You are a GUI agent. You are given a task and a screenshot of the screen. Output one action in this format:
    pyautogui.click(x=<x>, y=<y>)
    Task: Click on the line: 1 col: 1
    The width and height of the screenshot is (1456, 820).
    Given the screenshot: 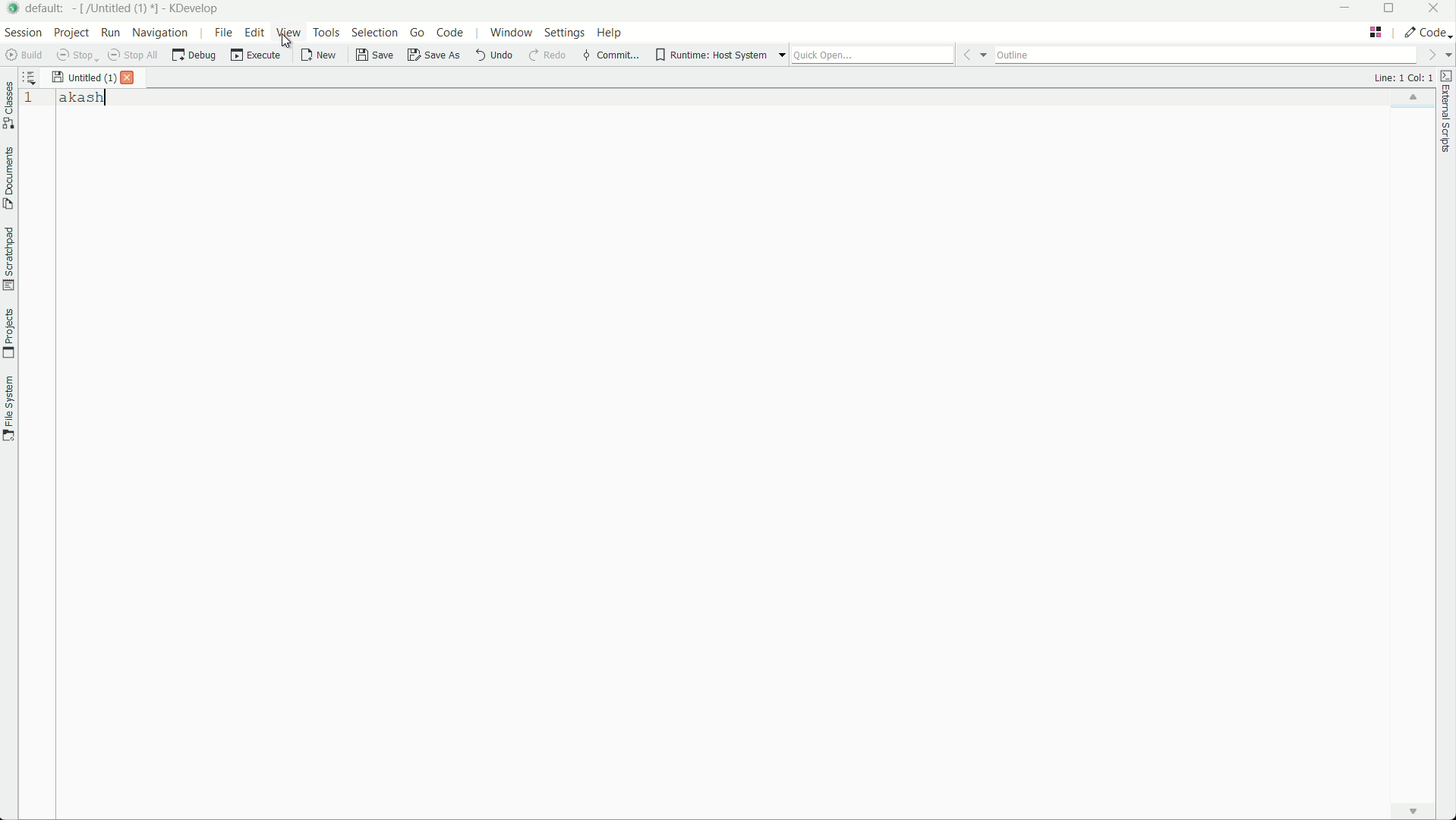 What is the action you would take?
    pyautogui.click(x=1402, y=78)
    